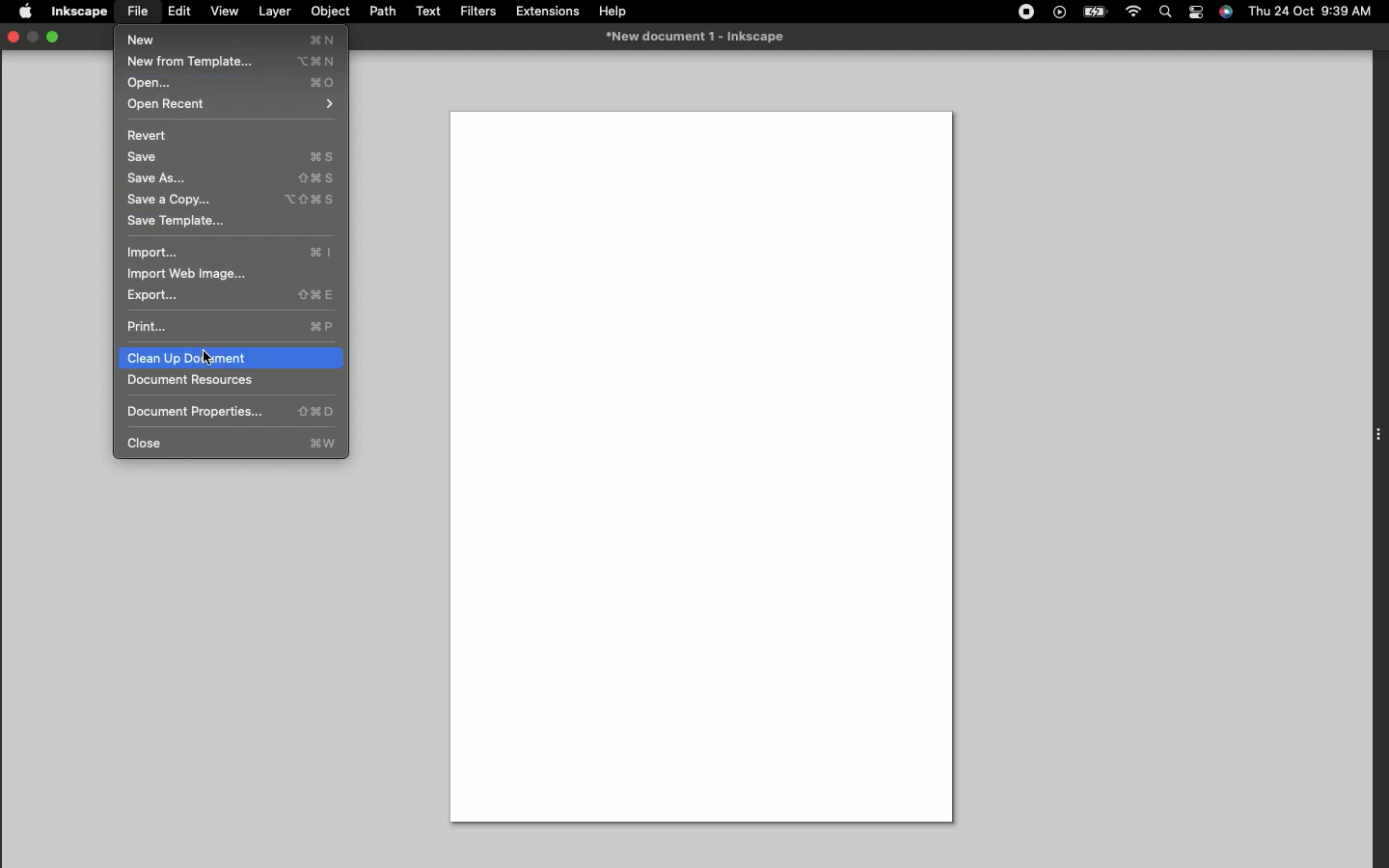  I want to click on Save as, so click(231, 176).